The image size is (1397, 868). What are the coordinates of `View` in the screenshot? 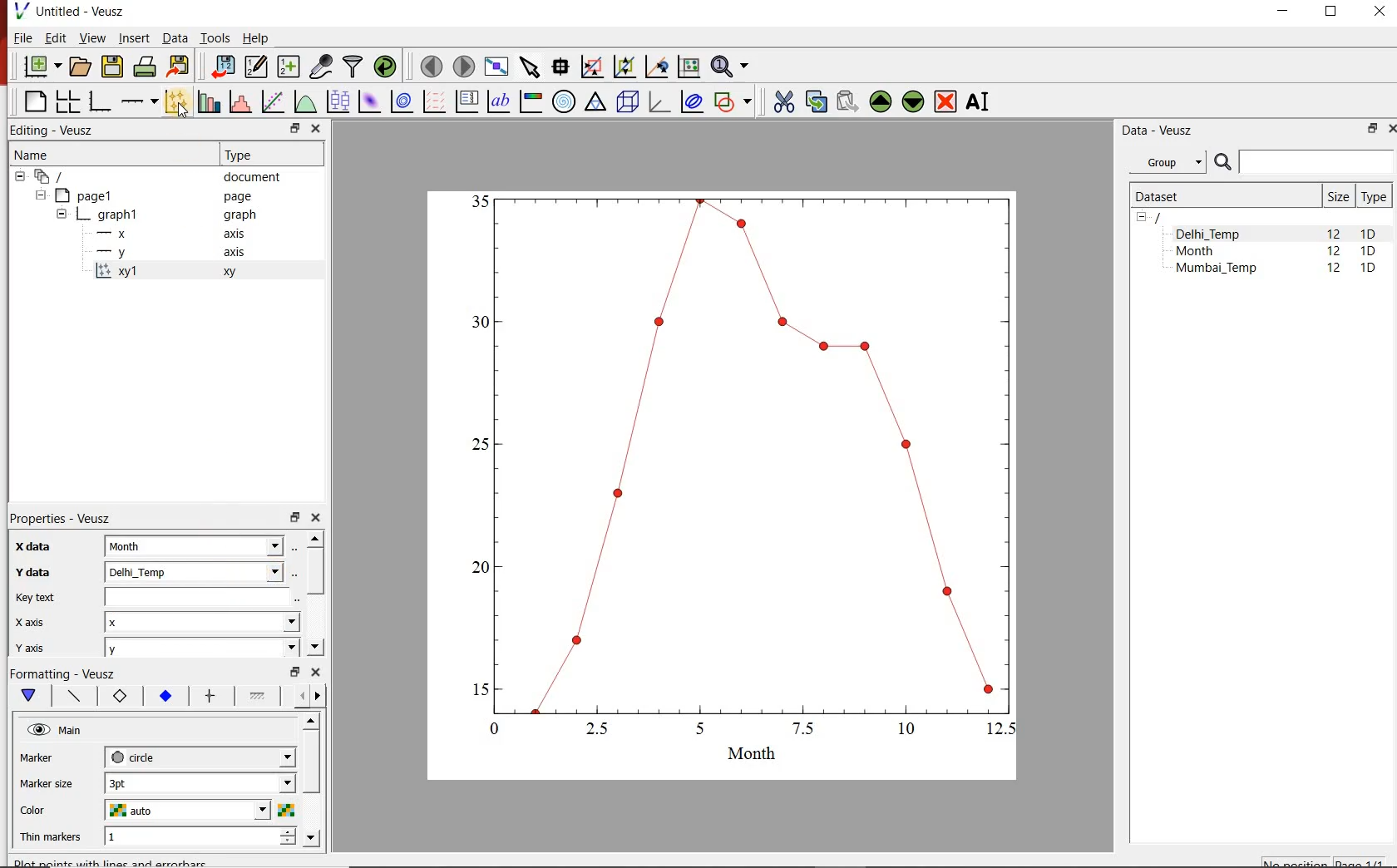 It's located at (91, 37).